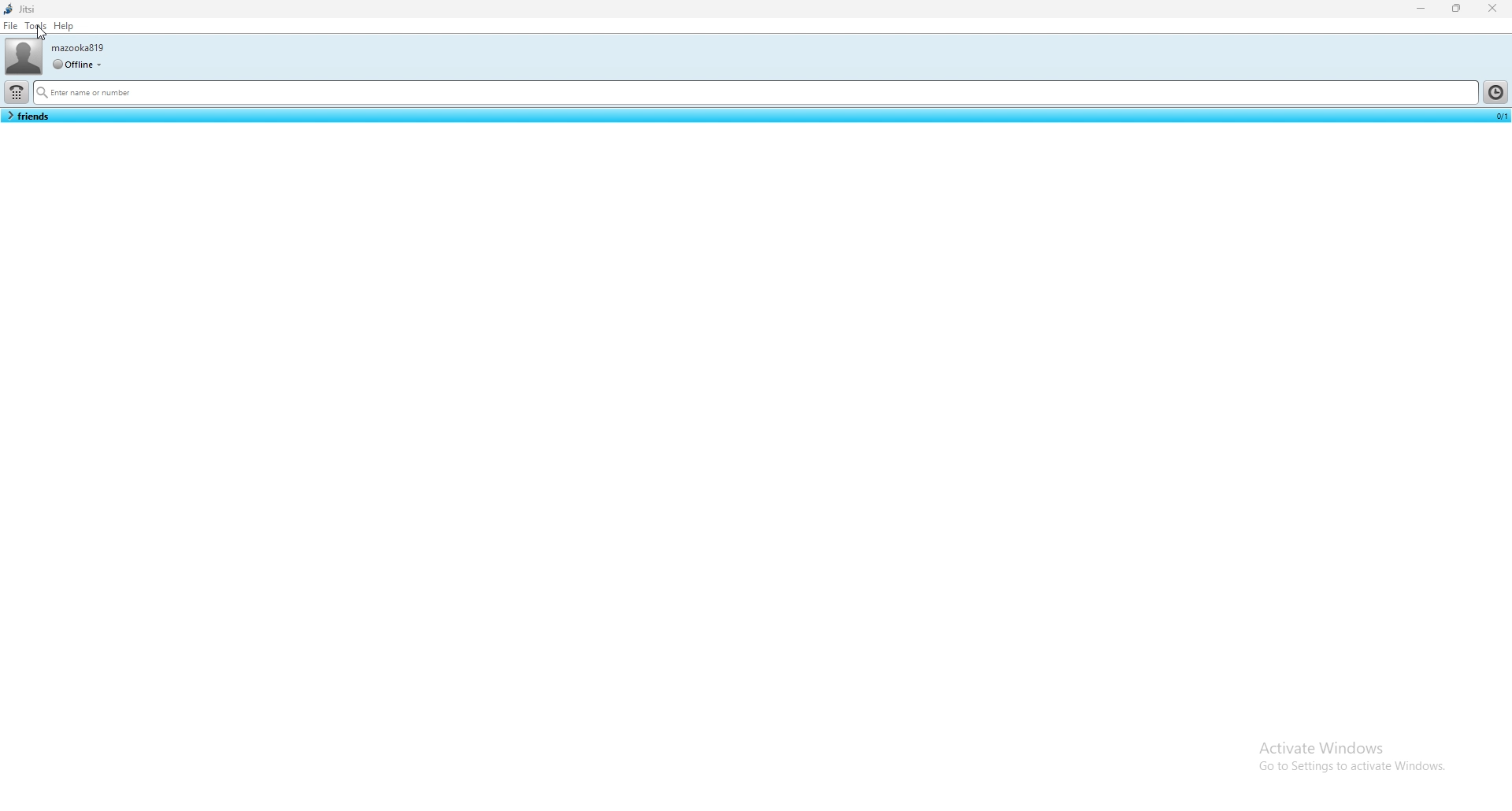 The width and height of the screenshot is (1512, 811). What do you see at coordinates (1492, 8) in the screenshot?
I see `close` at bounding box center [1492, 8].